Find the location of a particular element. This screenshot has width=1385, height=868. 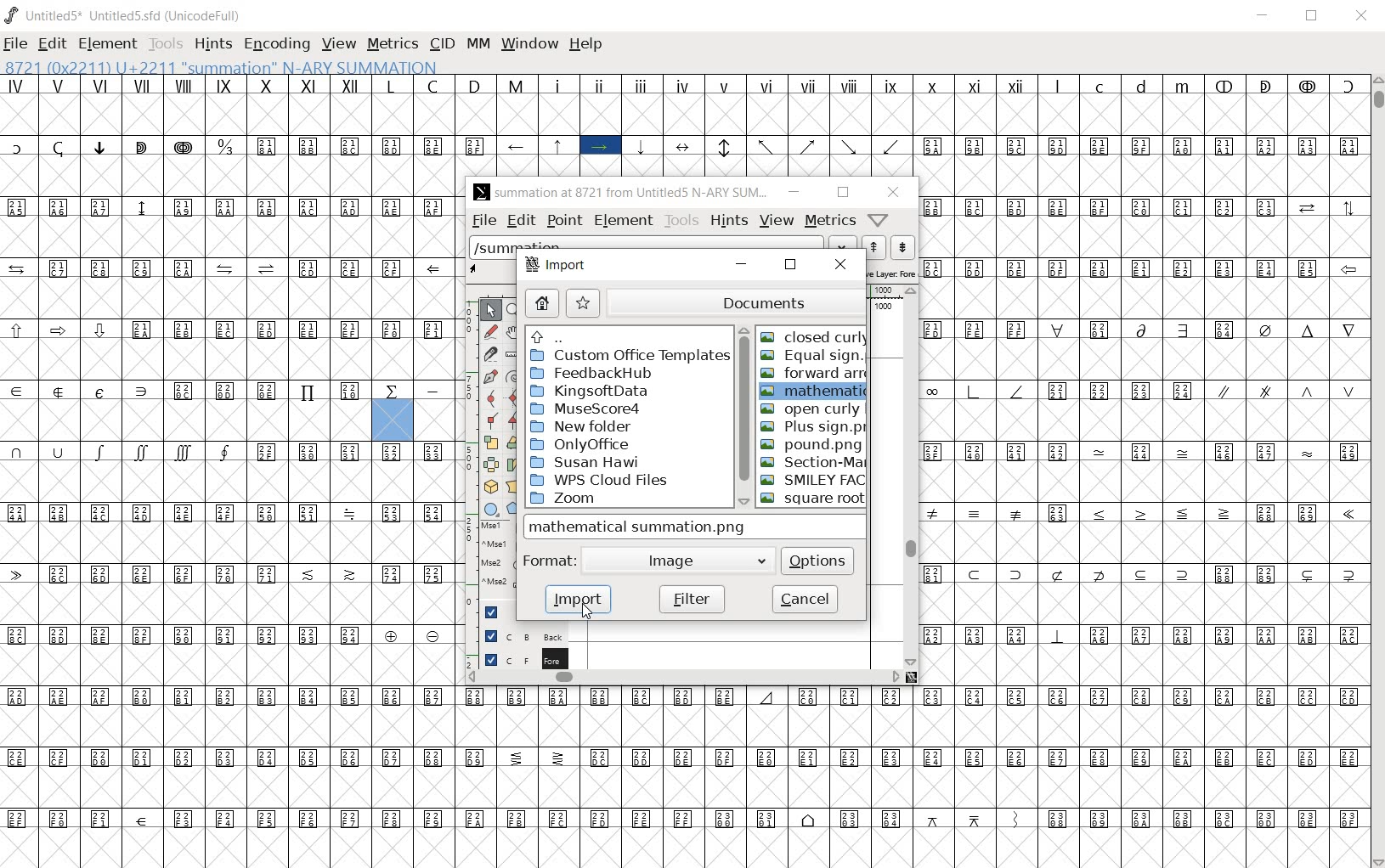

KingsoftData is located at coordinates (591, 391).